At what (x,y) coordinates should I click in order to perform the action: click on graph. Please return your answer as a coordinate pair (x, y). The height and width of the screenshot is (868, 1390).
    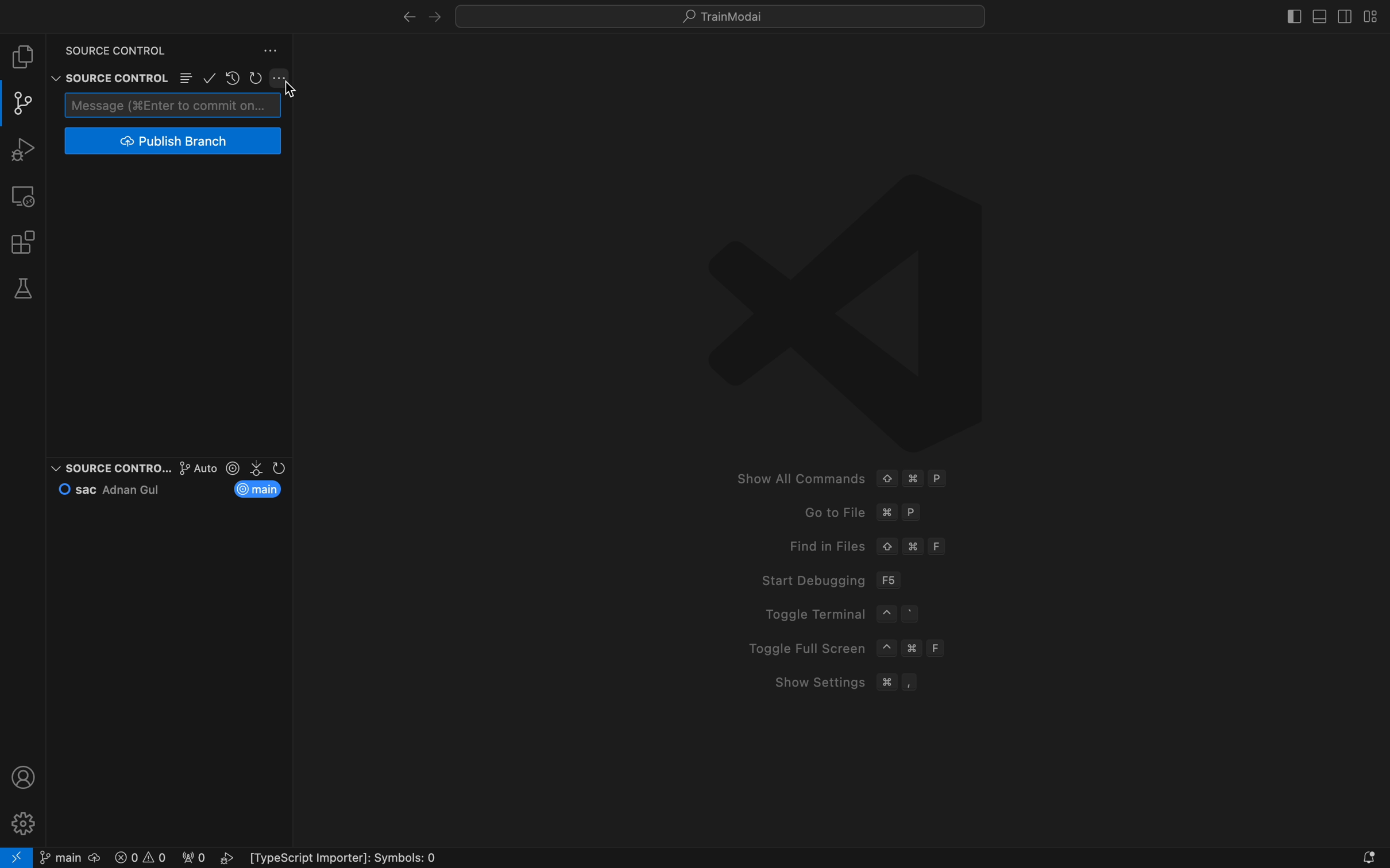
    Looking at the image, I should click on (192, 467).